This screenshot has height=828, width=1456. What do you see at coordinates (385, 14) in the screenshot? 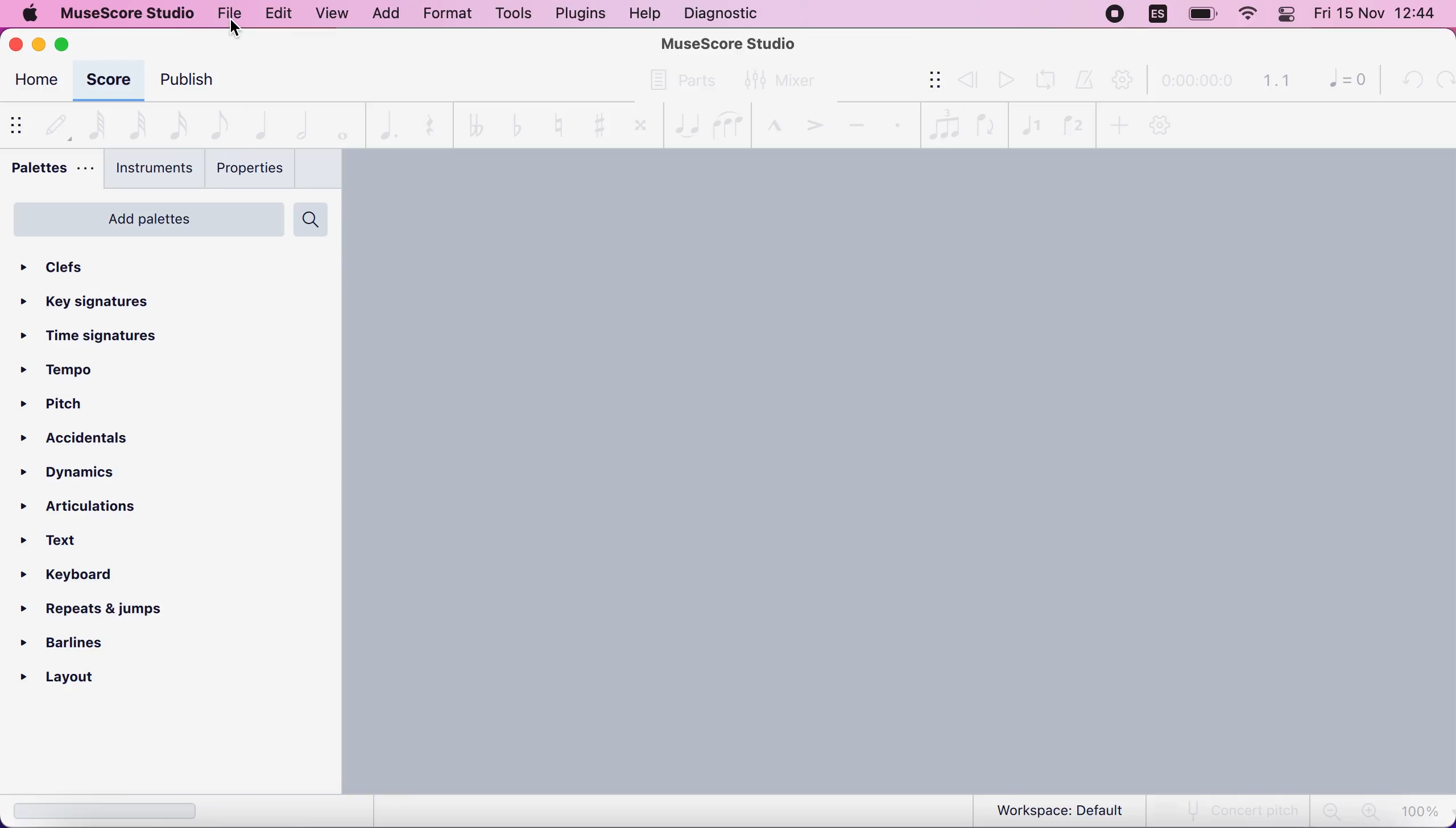
I see `add` at bounding box center [385, 14].